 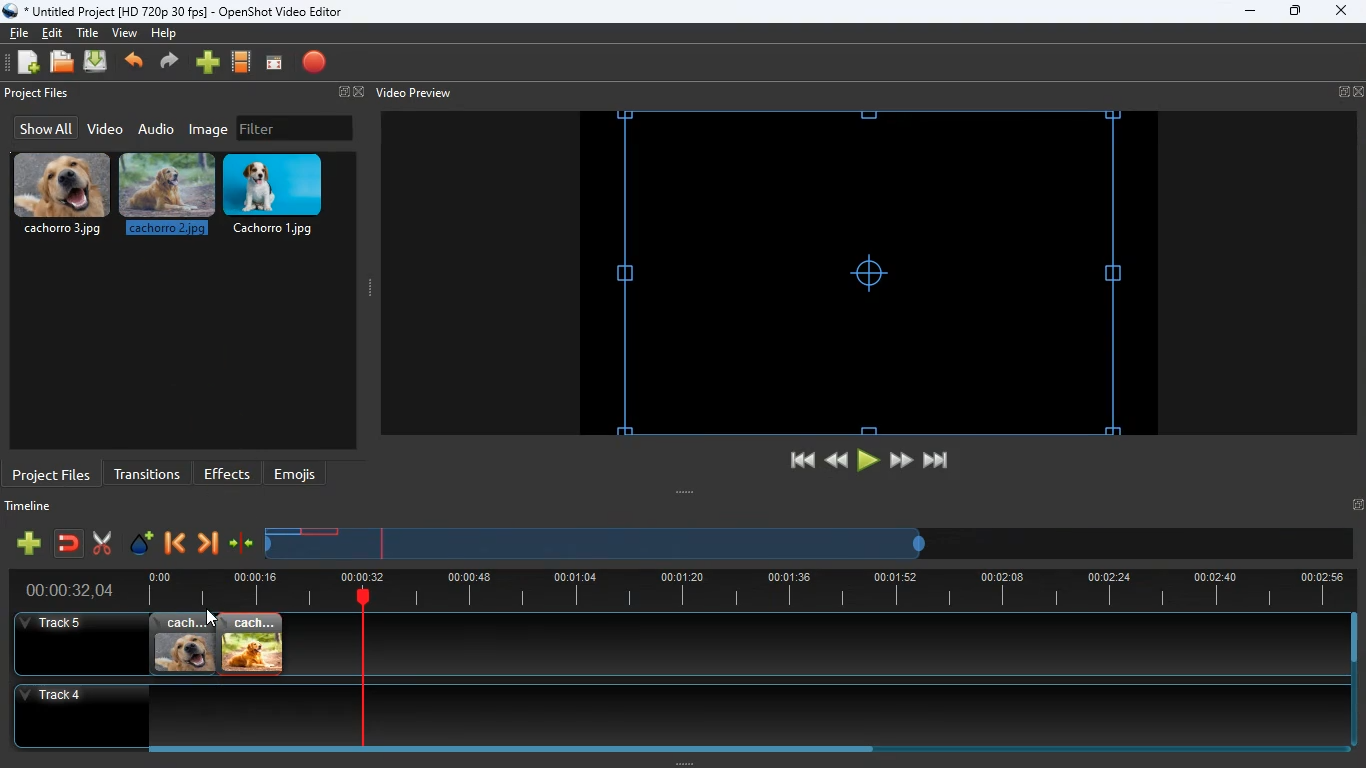 What do you see at coordinates (157, 128) in the screenshot?
I see `audio` at bounding box center [157, 128].